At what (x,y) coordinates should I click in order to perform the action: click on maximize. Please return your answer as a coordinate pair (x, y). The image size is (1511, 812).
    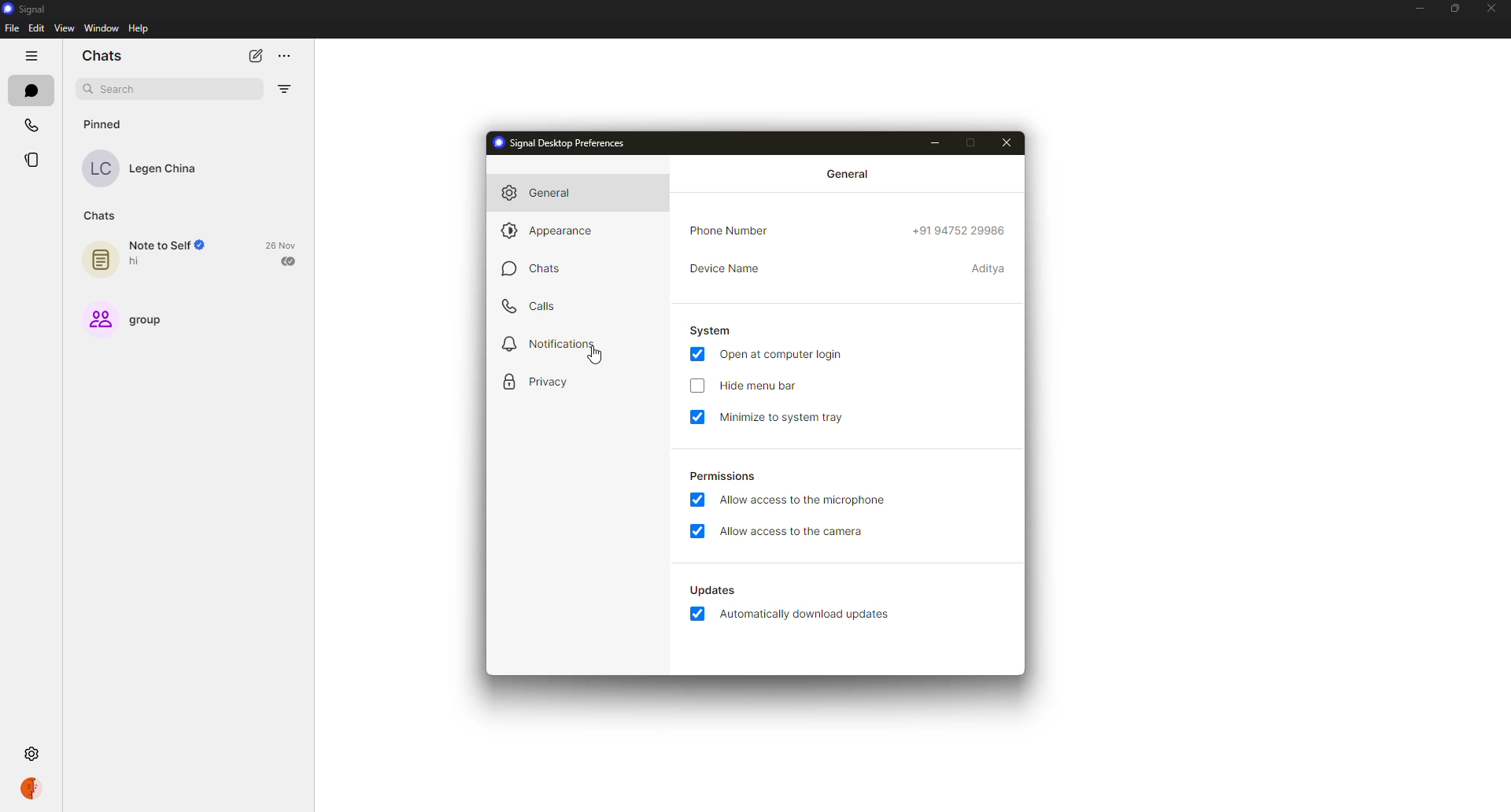
    Looking at the image, I should click on (980, 142).